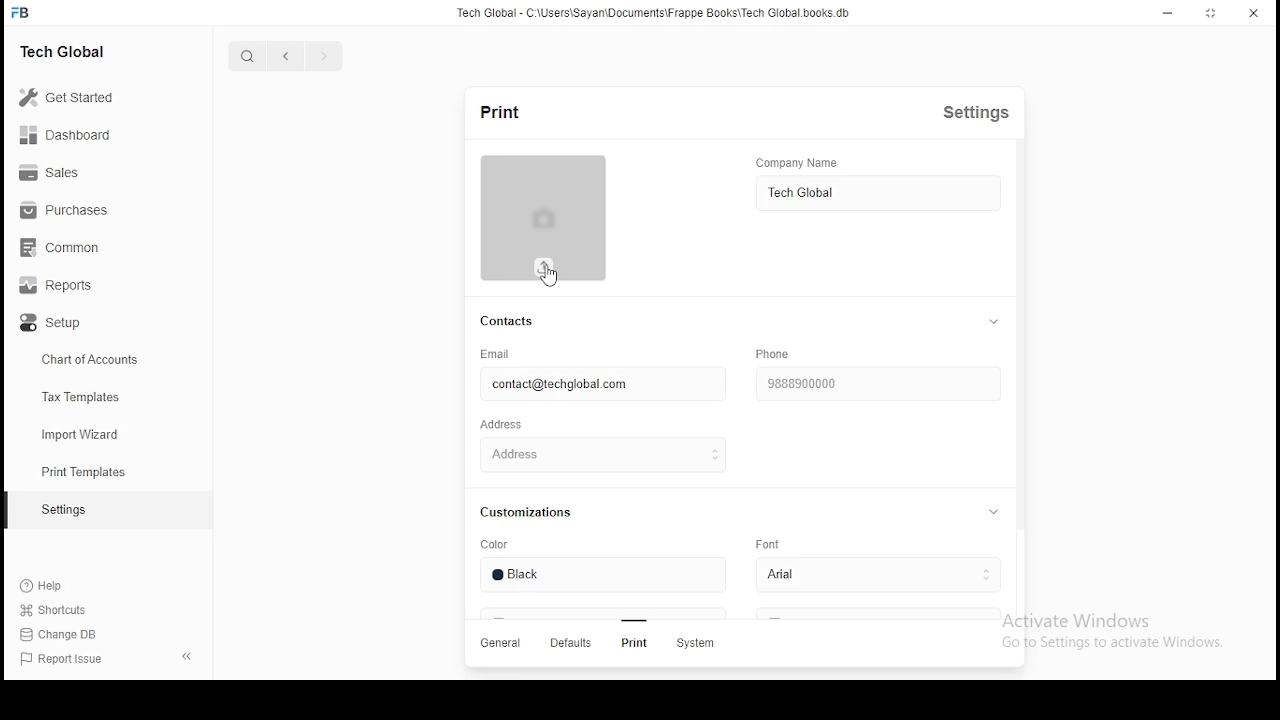 This screenshot has width=1280, height=720. What do you see at coordinates (877, 195) in the screenshot?
I see `COMPANY NAME INPUT BOX` at bounding box center [877, 195].